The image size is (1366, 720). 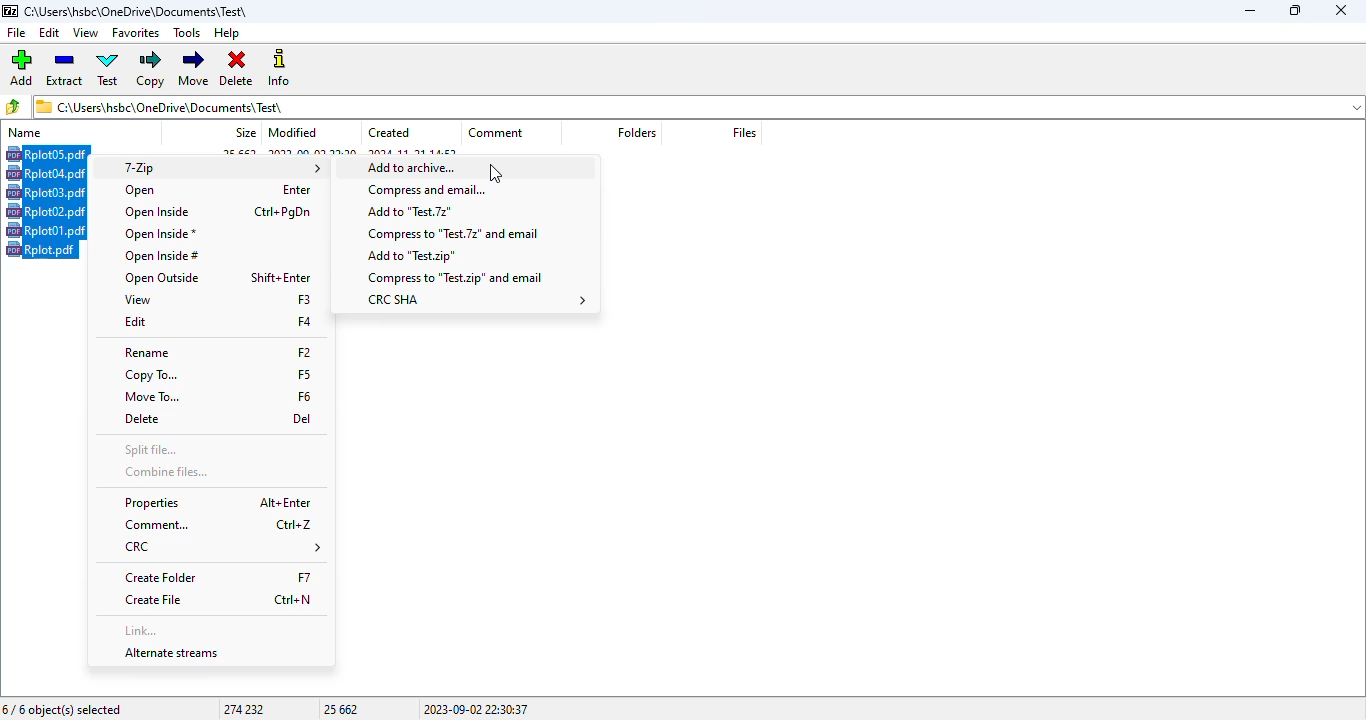 I want to click on split file, so click(x=150, y=451).